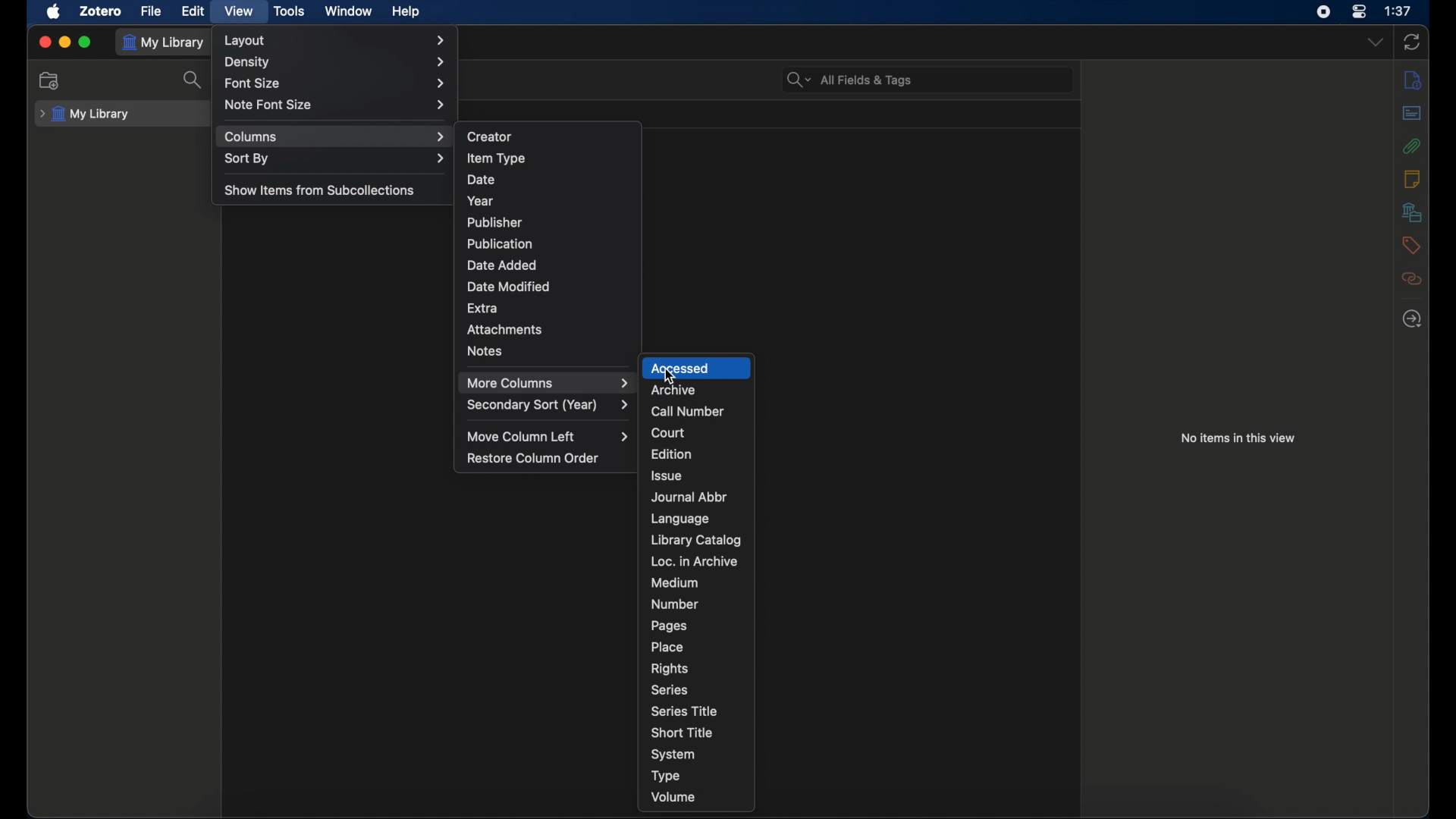  Describe the element at coordinates (102, 11) in the screenshot. I see `zotero` at that location.